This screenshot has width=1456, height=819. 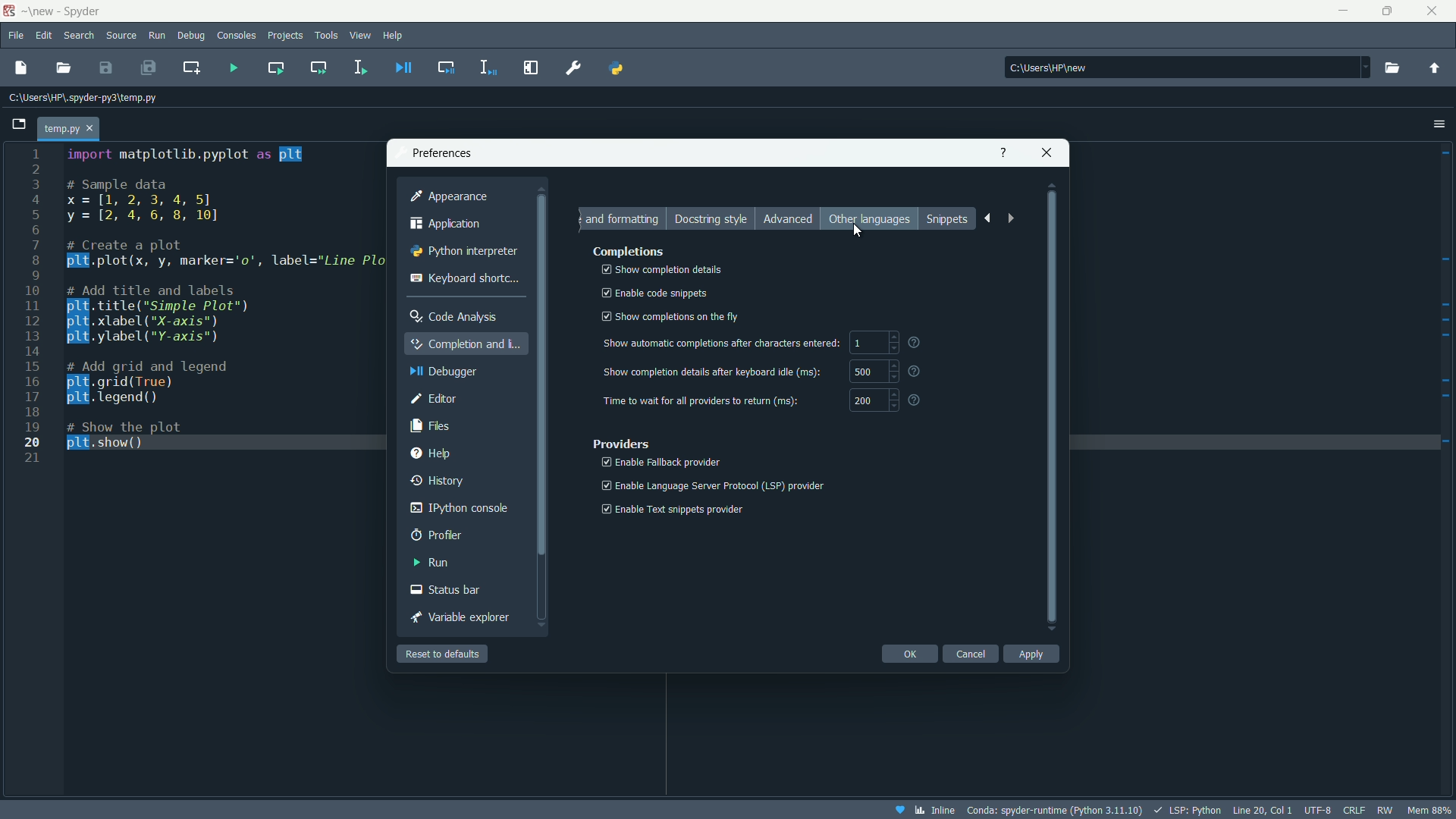 What do you see at coordinates (465, 617) in the screenshot?
I see `variable explorer` at bounding box center [465, 617].